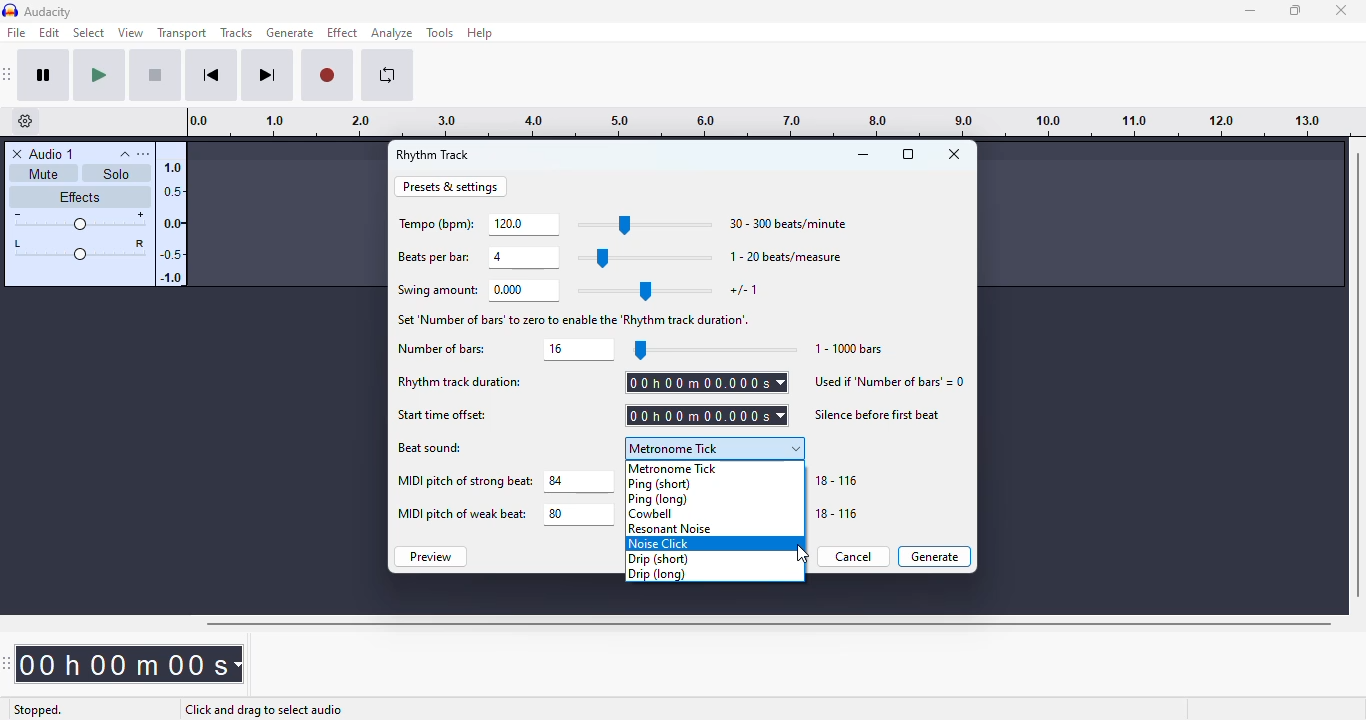 The height and width of the screenshot is (720, 1366). I want to click on minimize, so click(1252, 11).